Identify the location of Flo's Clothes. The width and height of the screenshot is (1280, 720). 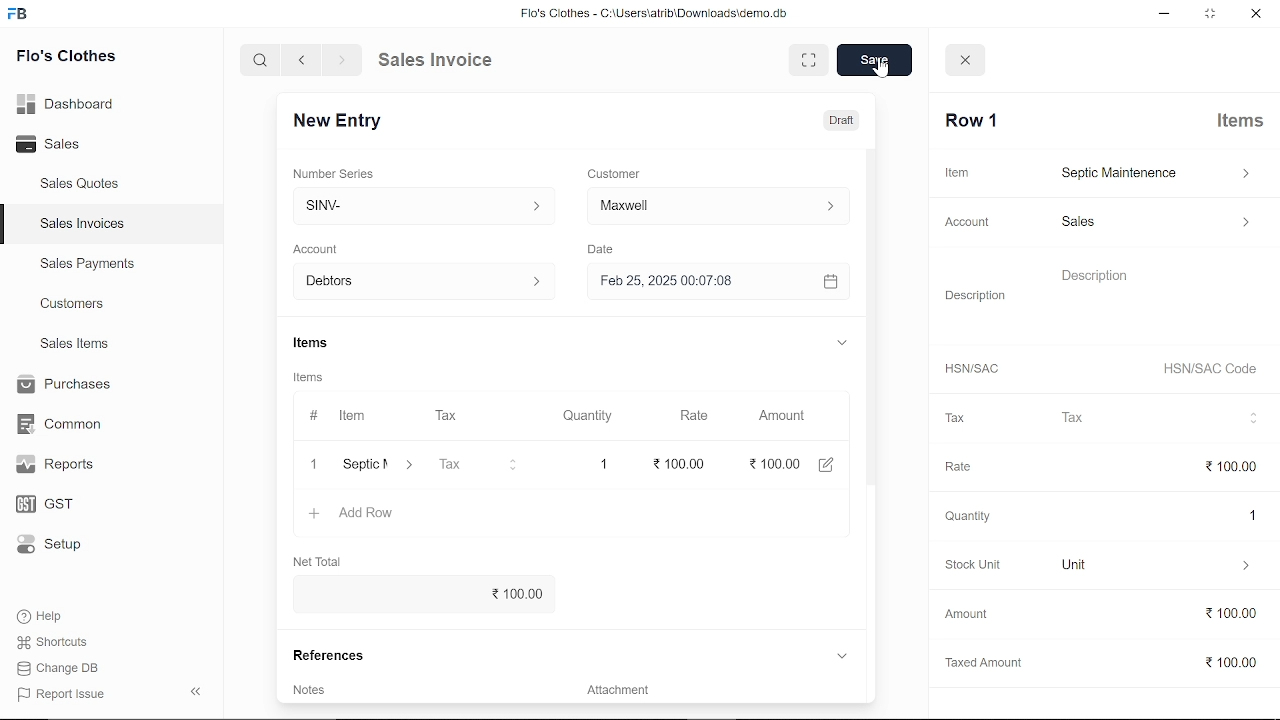
(64, 59).